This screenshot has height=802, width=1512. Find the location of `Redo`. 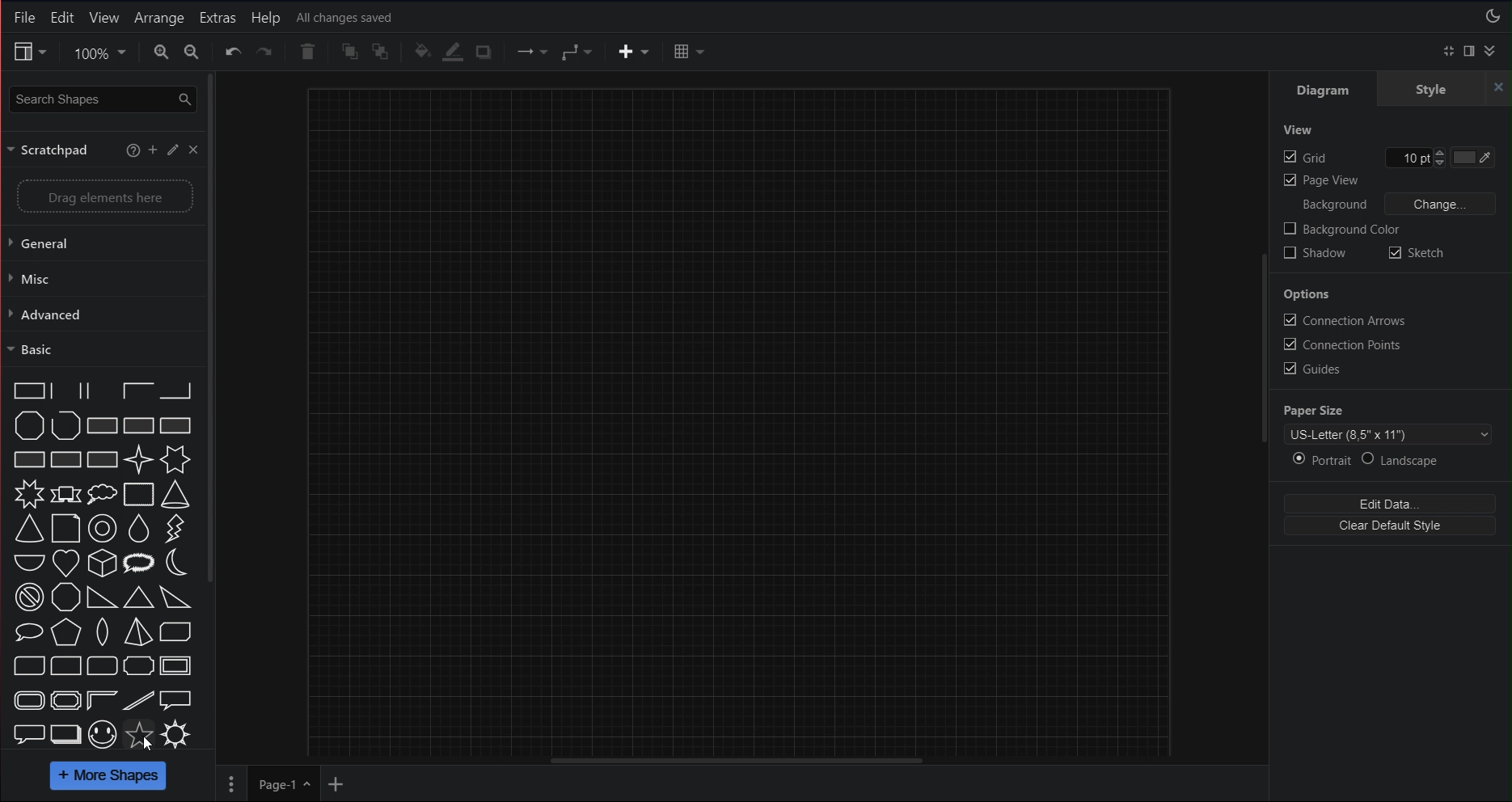

Redo is located at coordinates (265, 51).